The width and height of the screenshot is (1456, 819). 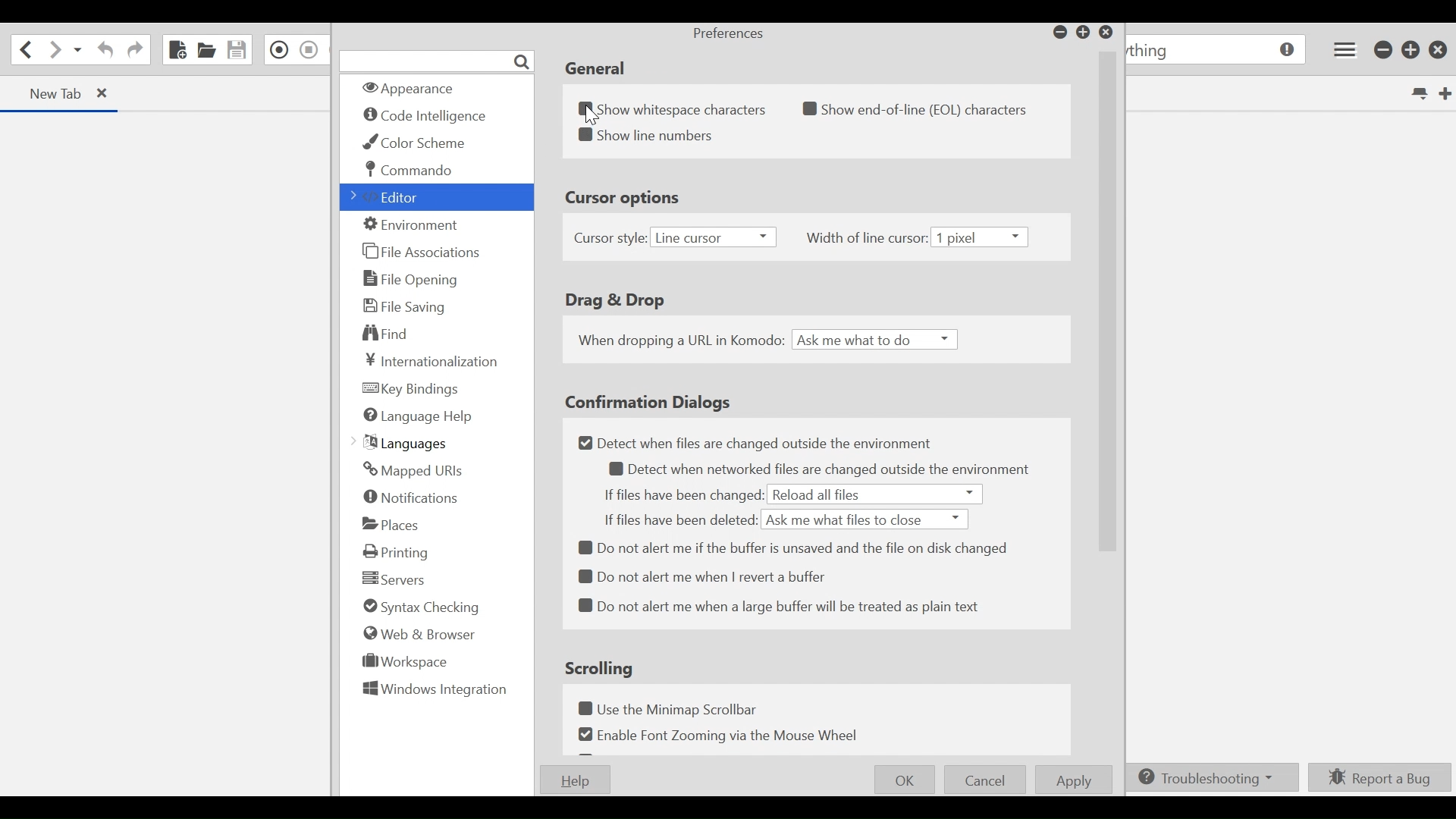 I want to click on List all tabs, so click(x=1420, y=92).